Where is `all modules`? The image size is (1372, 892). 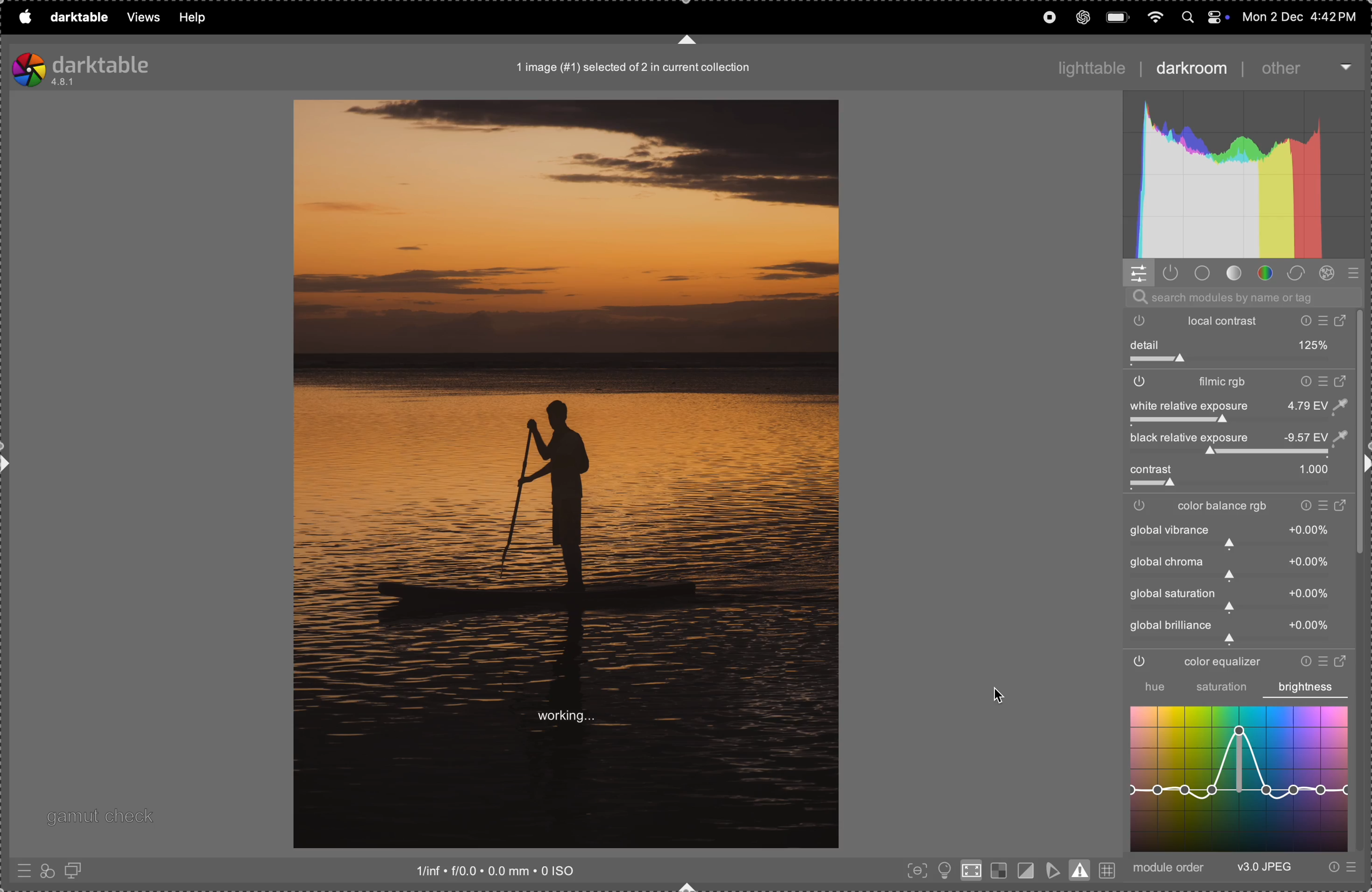 all modules is located at coordinates (1351, 274).